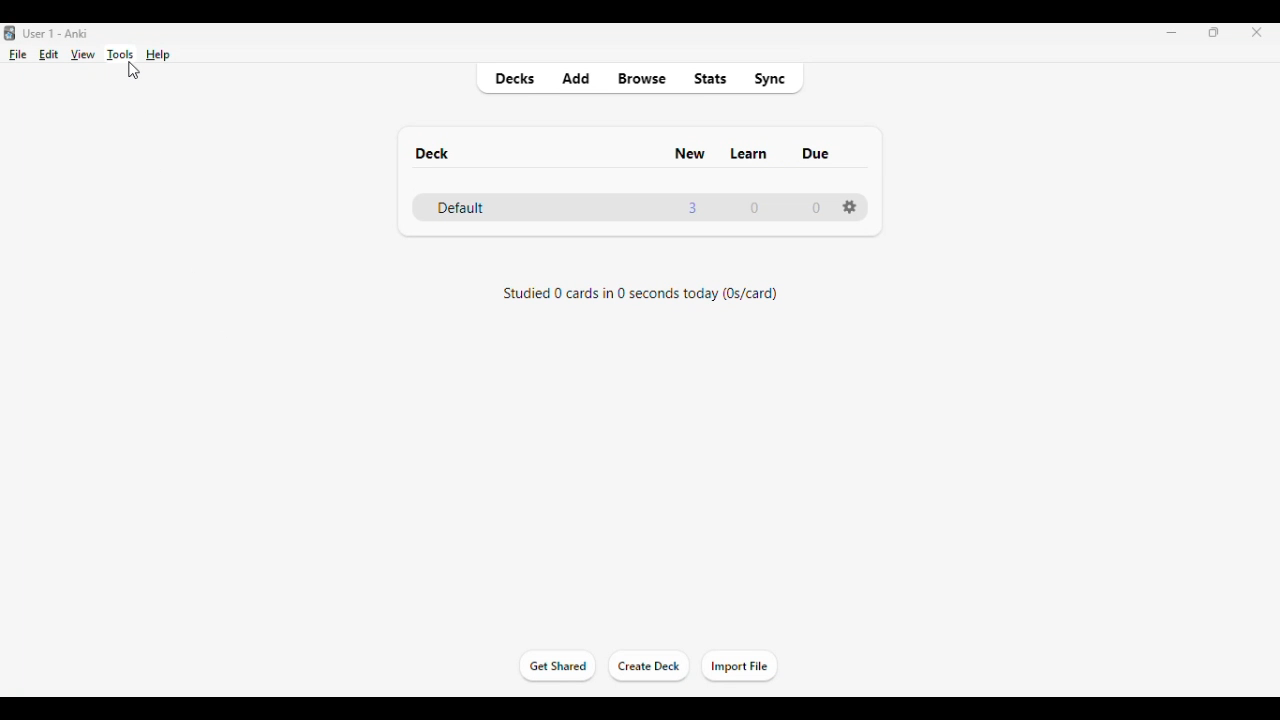 This screenshot has width=1280, height=720. What do you see at coordinates (122, 55) in the screenshot?
I see `tools` at bounding box center [122, 55].